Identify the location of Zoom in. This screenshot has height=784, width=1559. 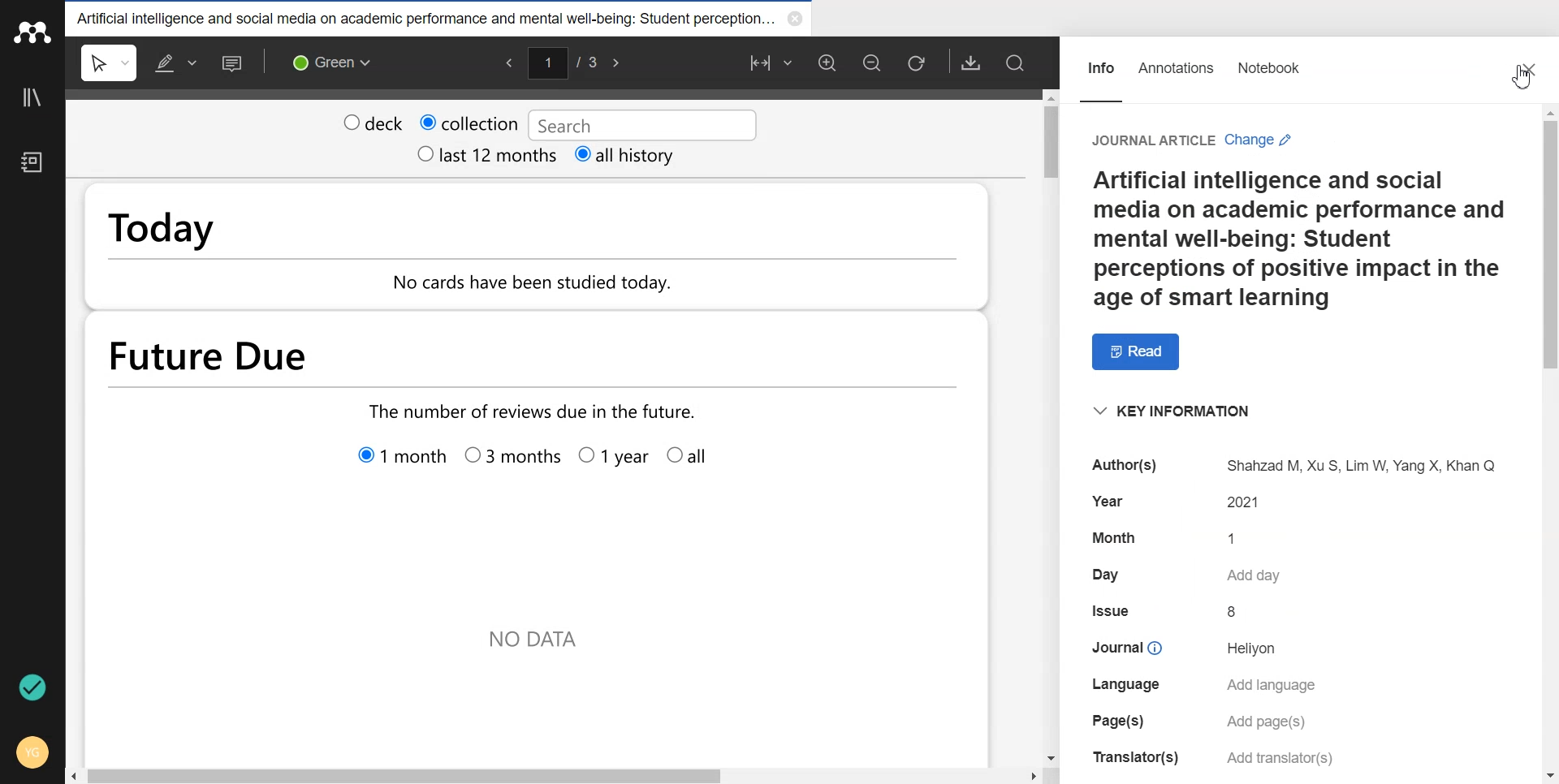
(827, 63).